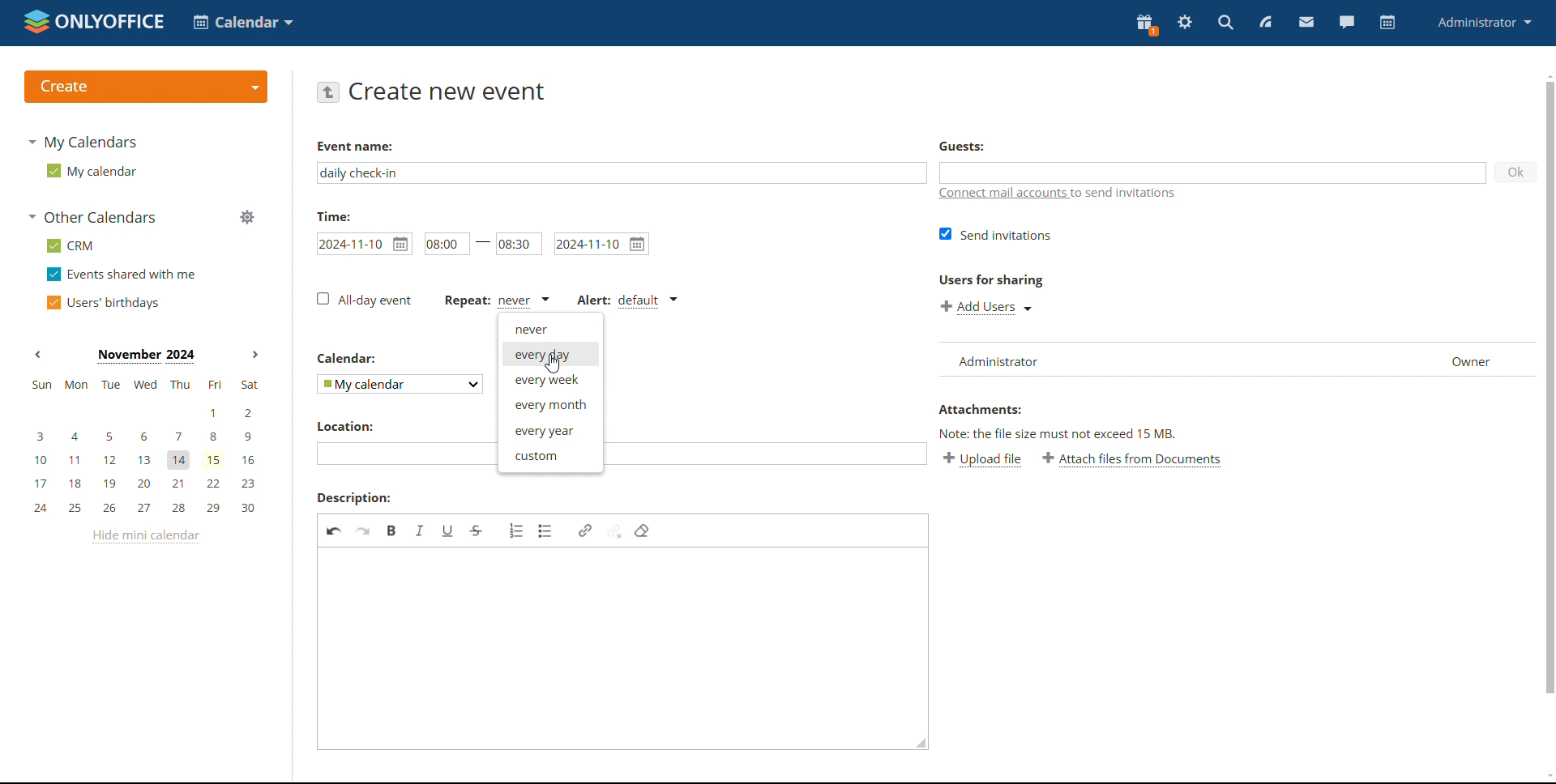 The width and height of the screenshot is (1556, 784). What do you see at coordinates (1266, 22) in the screenshot?
I see `feed` at bounding box center [1266, 22].